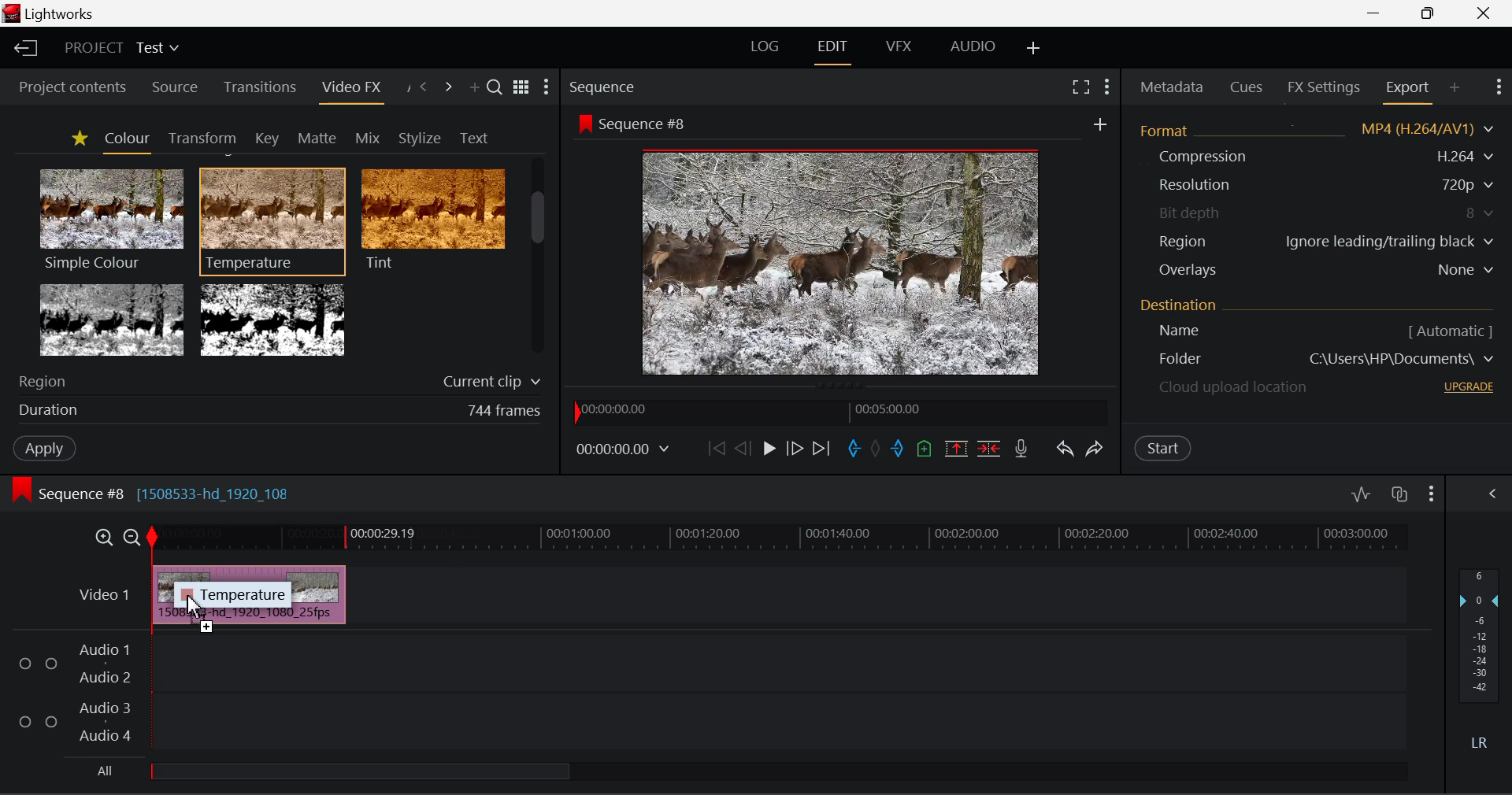 This screenshot has height=795, width=1512. Describe the element at coordinates (317, 138) in the screenshot. I see `Matte` at that location.